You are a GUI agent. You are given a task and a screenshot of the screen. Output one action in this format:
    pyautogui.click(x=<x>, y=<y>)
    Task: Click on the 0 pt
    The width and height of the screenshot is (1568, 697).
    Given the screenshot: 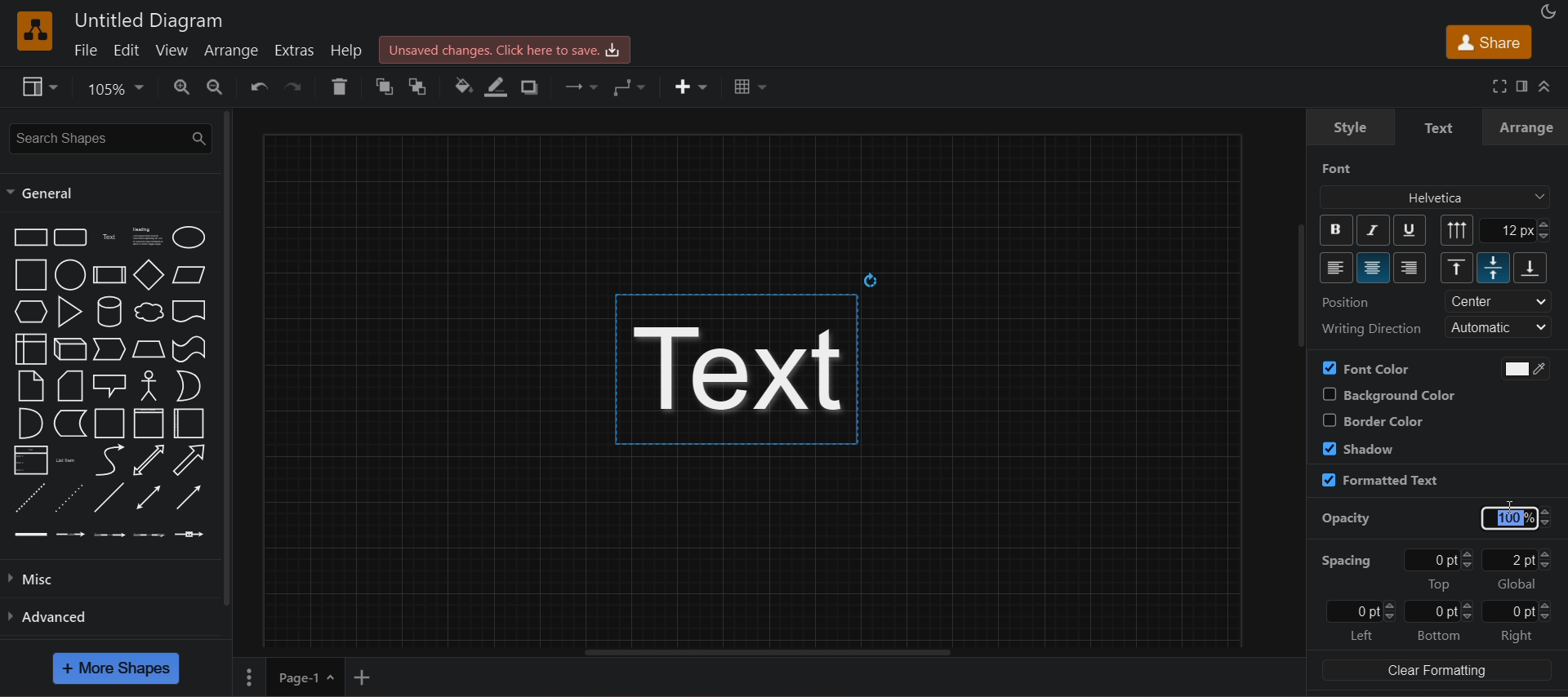 What is the action you would take?
    pyautogui.click(x=1361, y=611)
    